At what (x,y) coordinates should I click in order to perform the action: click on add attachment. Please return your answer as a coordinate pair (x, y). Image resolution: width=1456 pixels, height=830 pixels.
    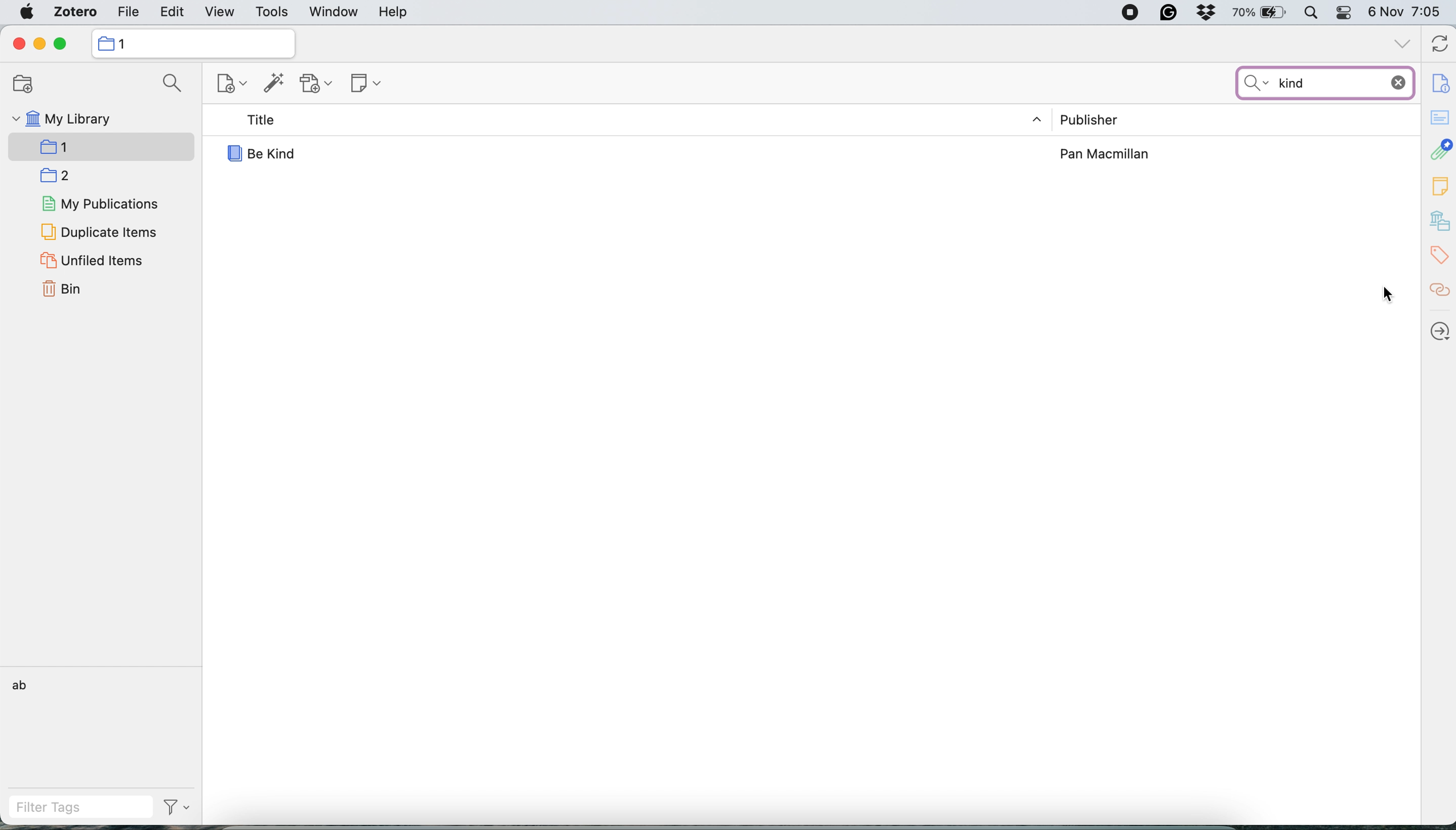
    Looking at the image, I should click on (318, 84).